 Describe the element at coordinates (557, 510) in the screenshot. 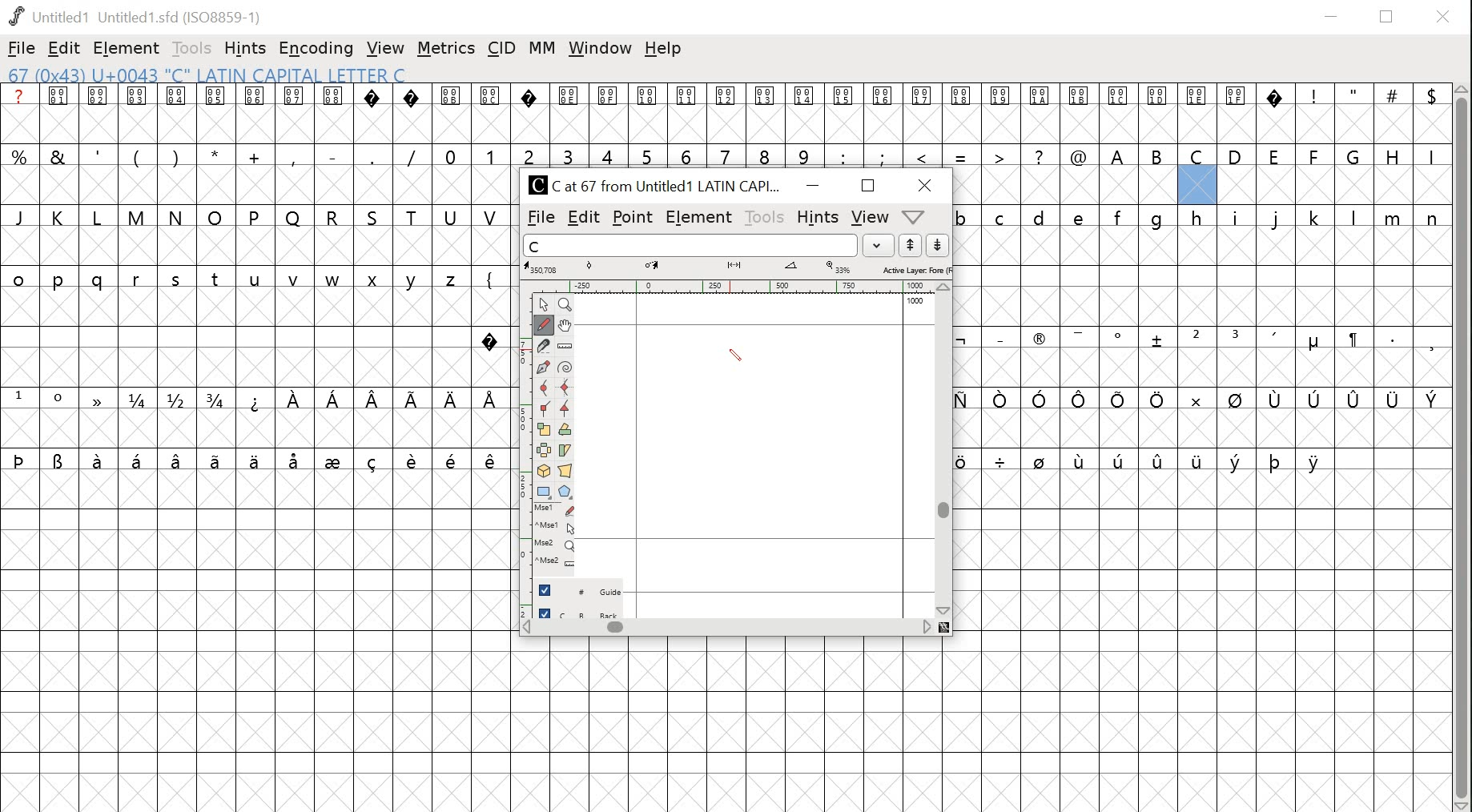

I see `mouse left button` at that location.